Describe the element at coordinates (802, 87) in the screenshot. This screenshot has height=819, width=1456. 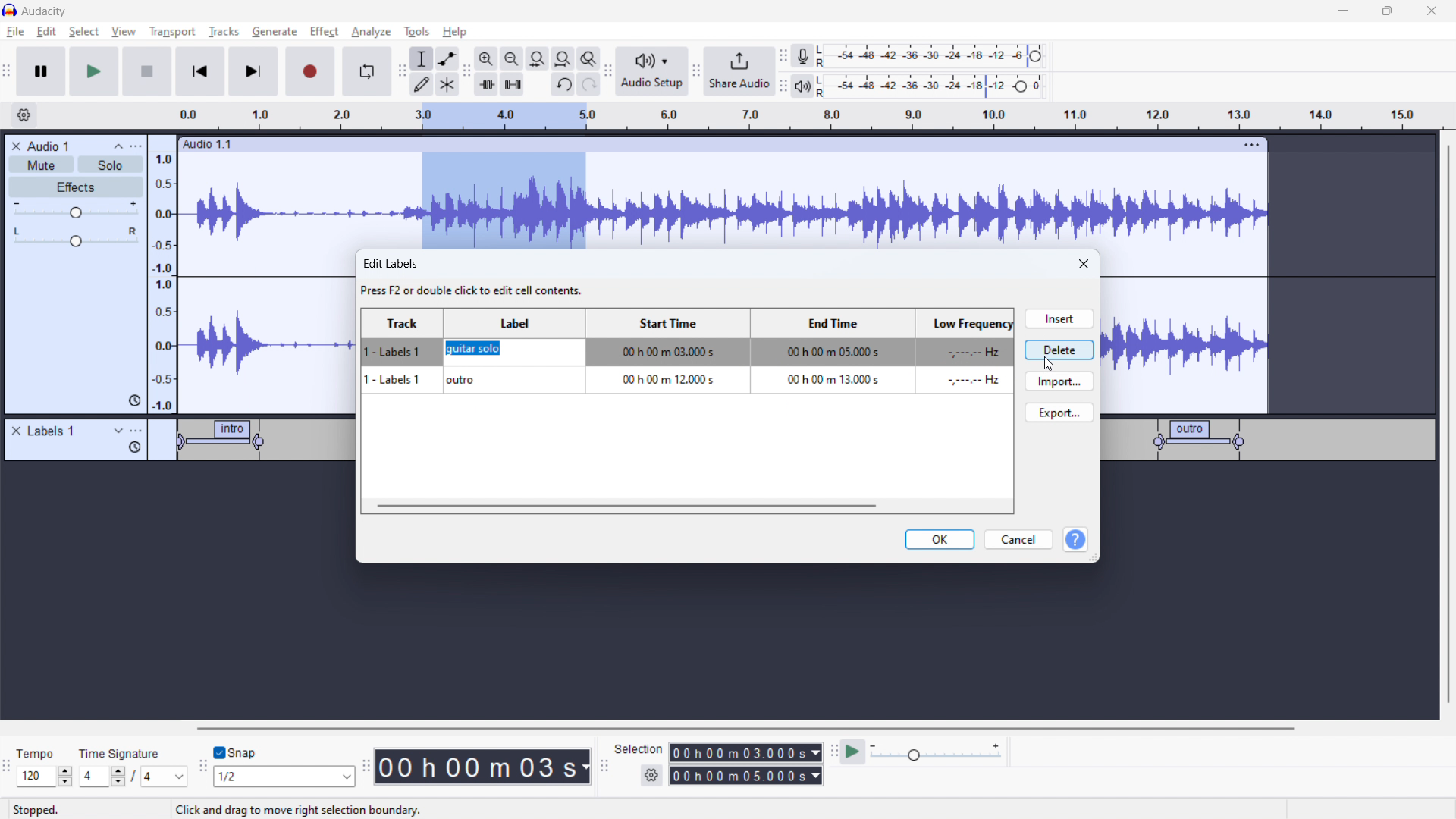
I see `playback meter` at that location.